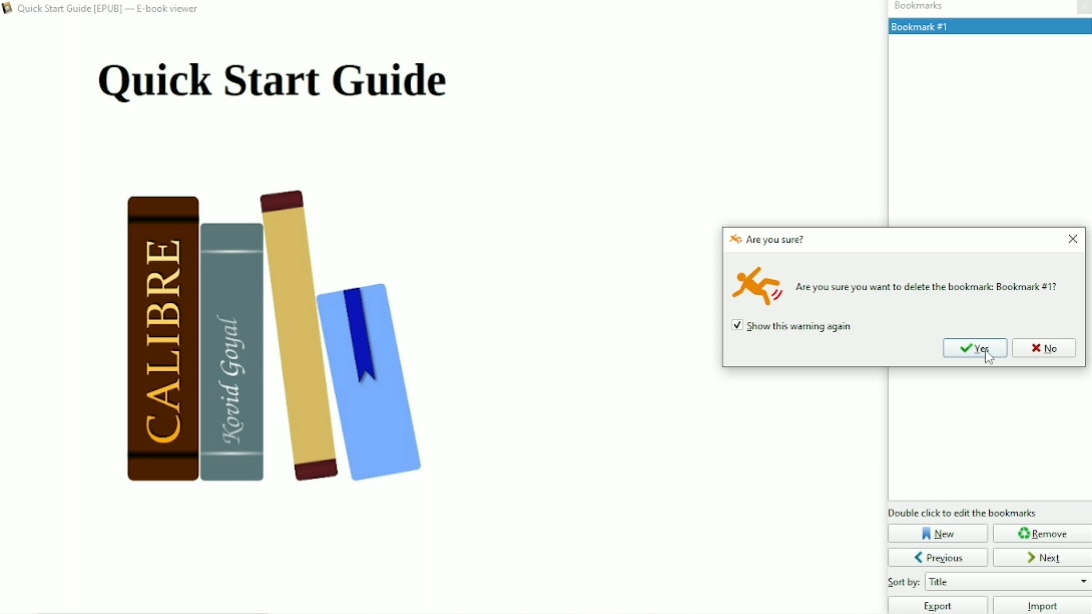  I want to click on checkbox, so click(738, 325).